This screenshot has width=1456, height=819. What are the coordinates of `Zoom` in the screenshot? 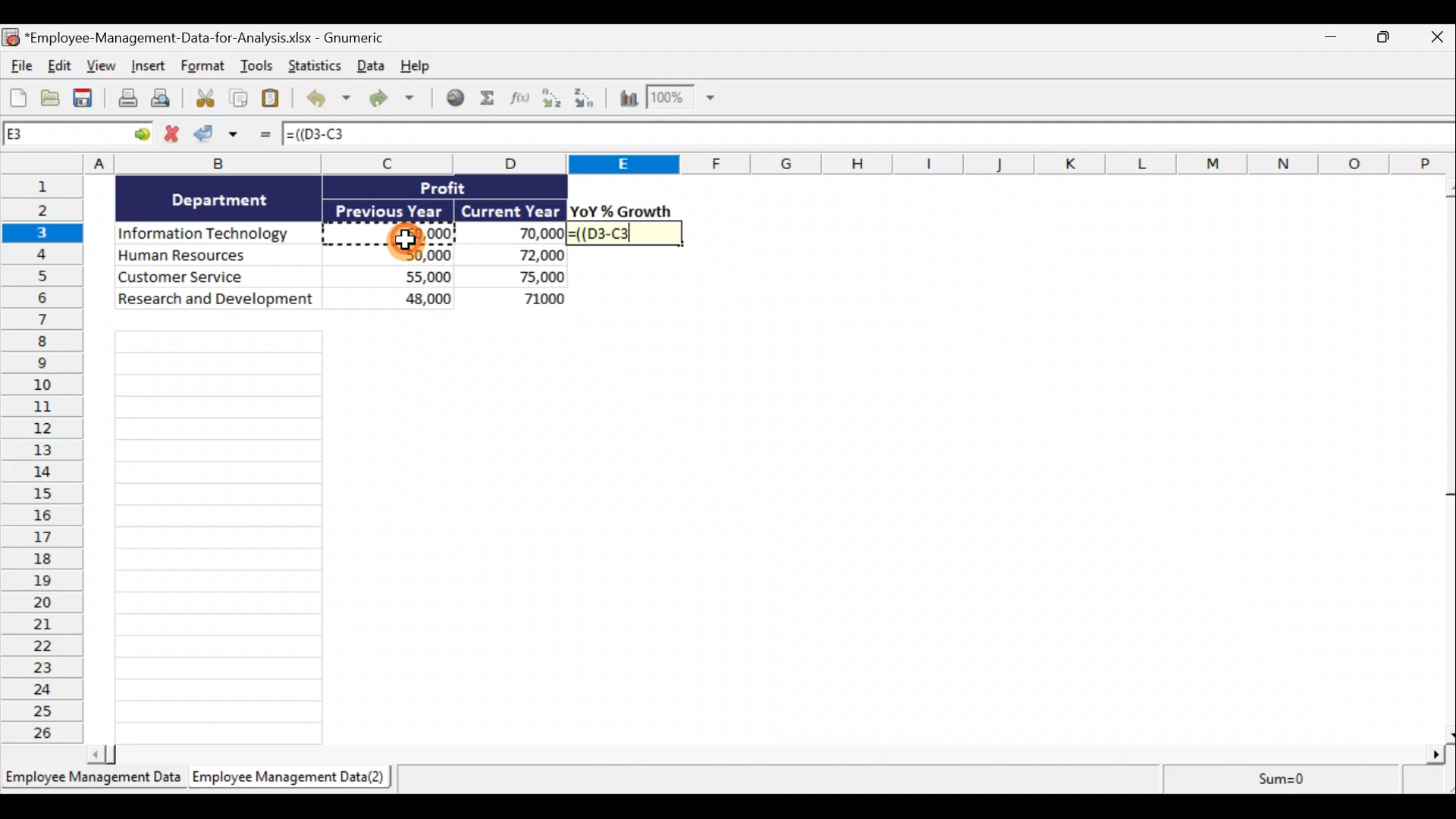 It's located at (680, 99).